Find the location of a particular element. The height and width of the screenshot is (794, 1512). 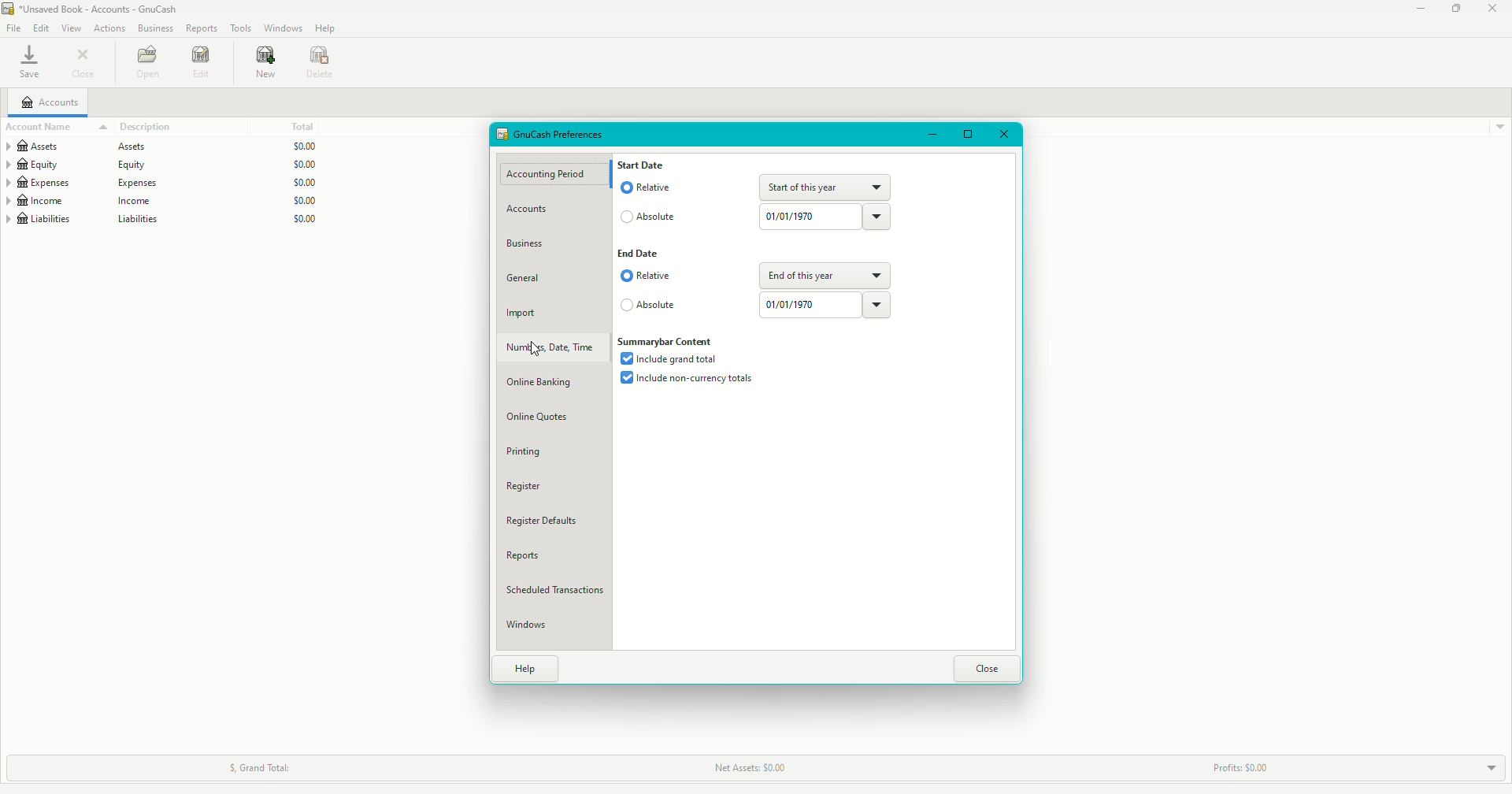

Reports is located at coordinates (202, 28).